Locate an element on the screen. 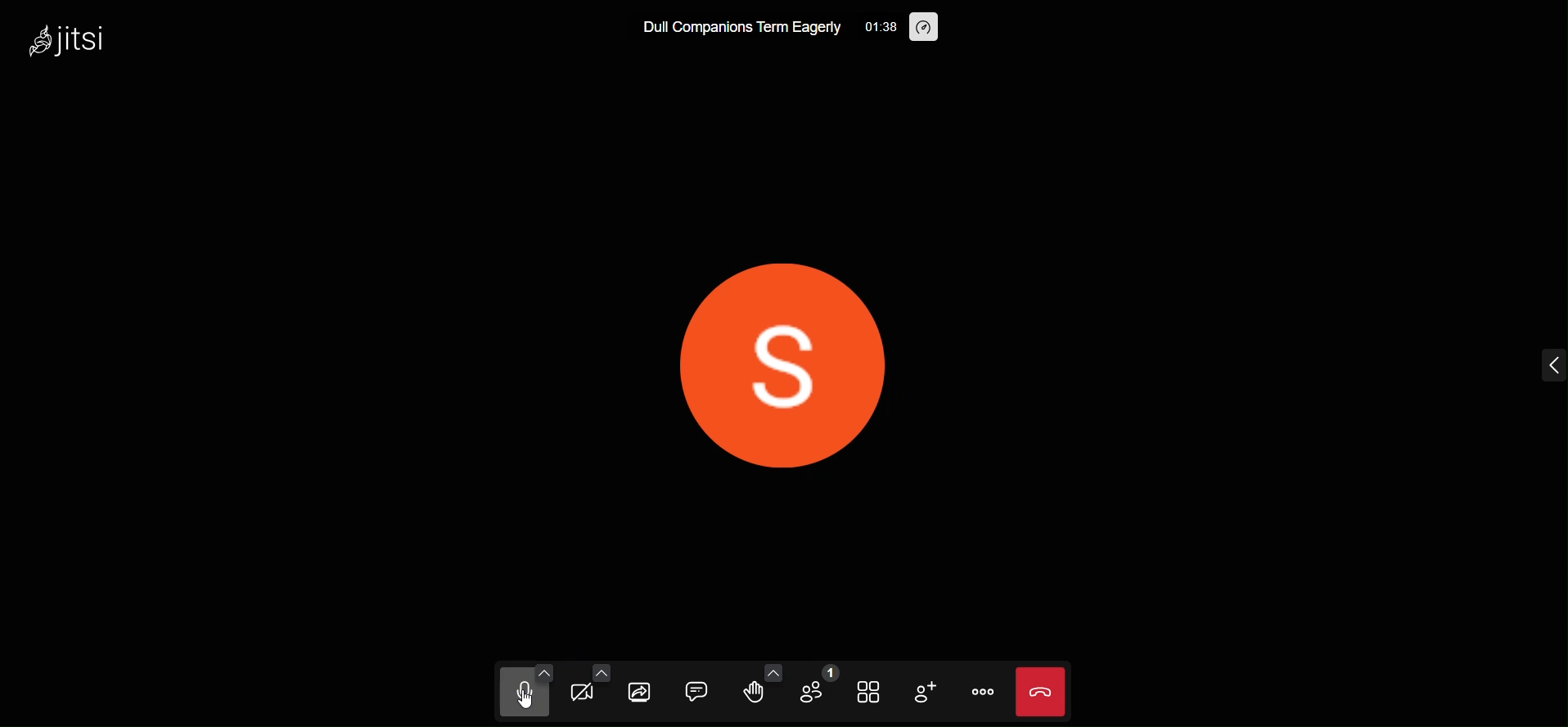 This screenshot has width=1568, height=727. video setting is located at coordinates (600, 672).